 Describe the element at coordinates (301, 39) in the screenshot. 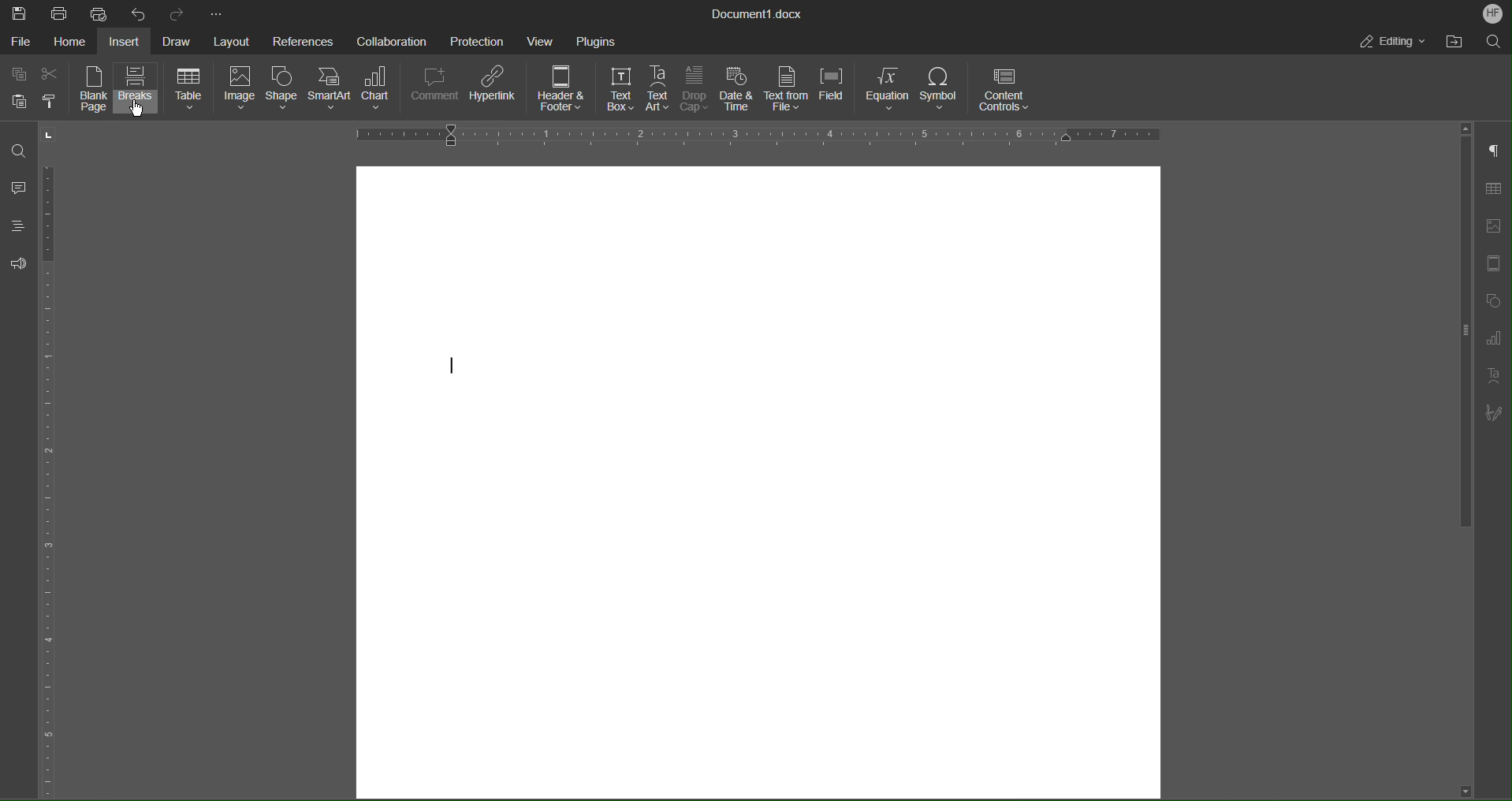

I see `References` at that location.